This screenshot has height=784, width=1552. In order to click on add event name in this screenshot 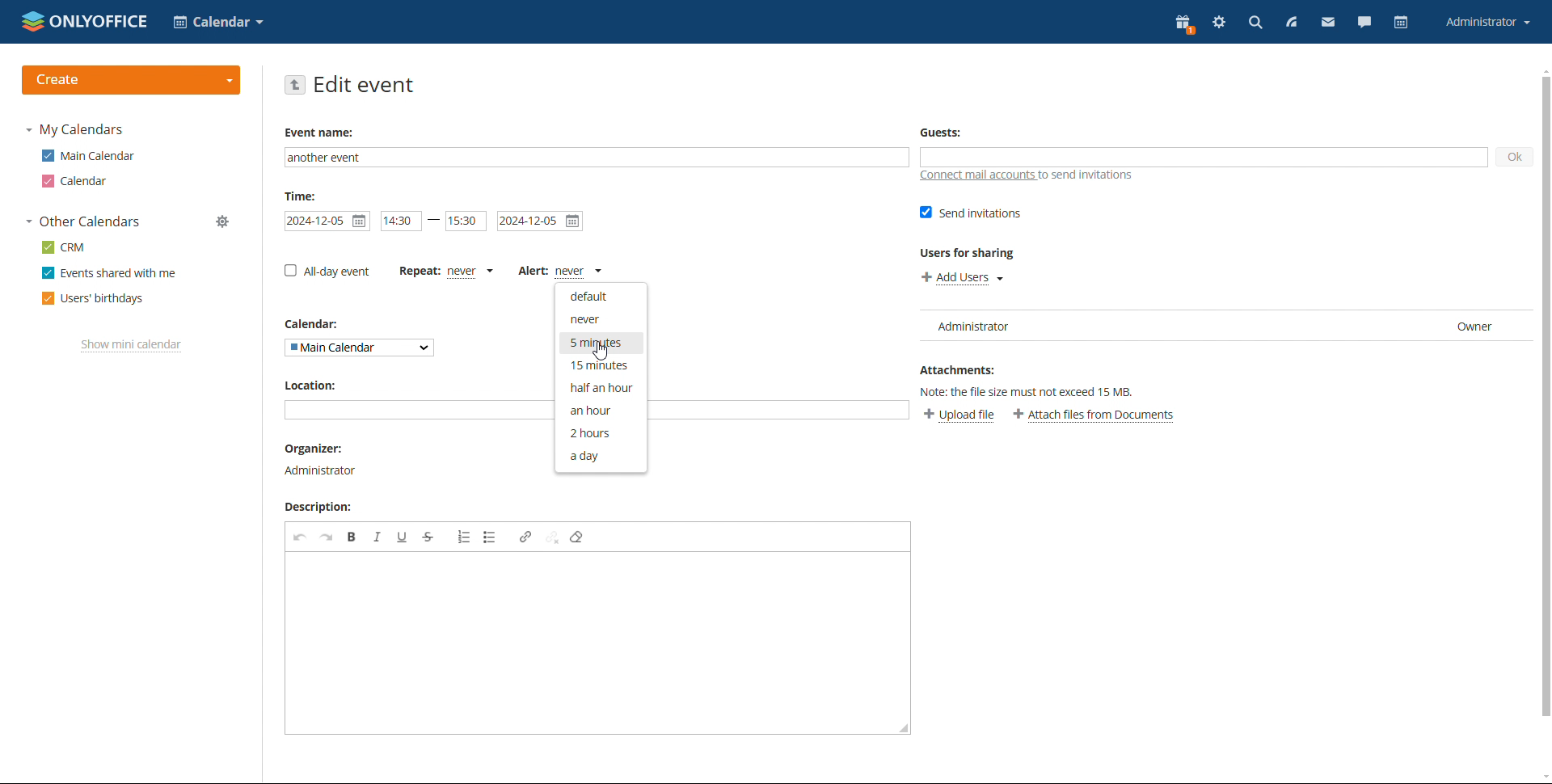, I will do `click(597, 158)`.